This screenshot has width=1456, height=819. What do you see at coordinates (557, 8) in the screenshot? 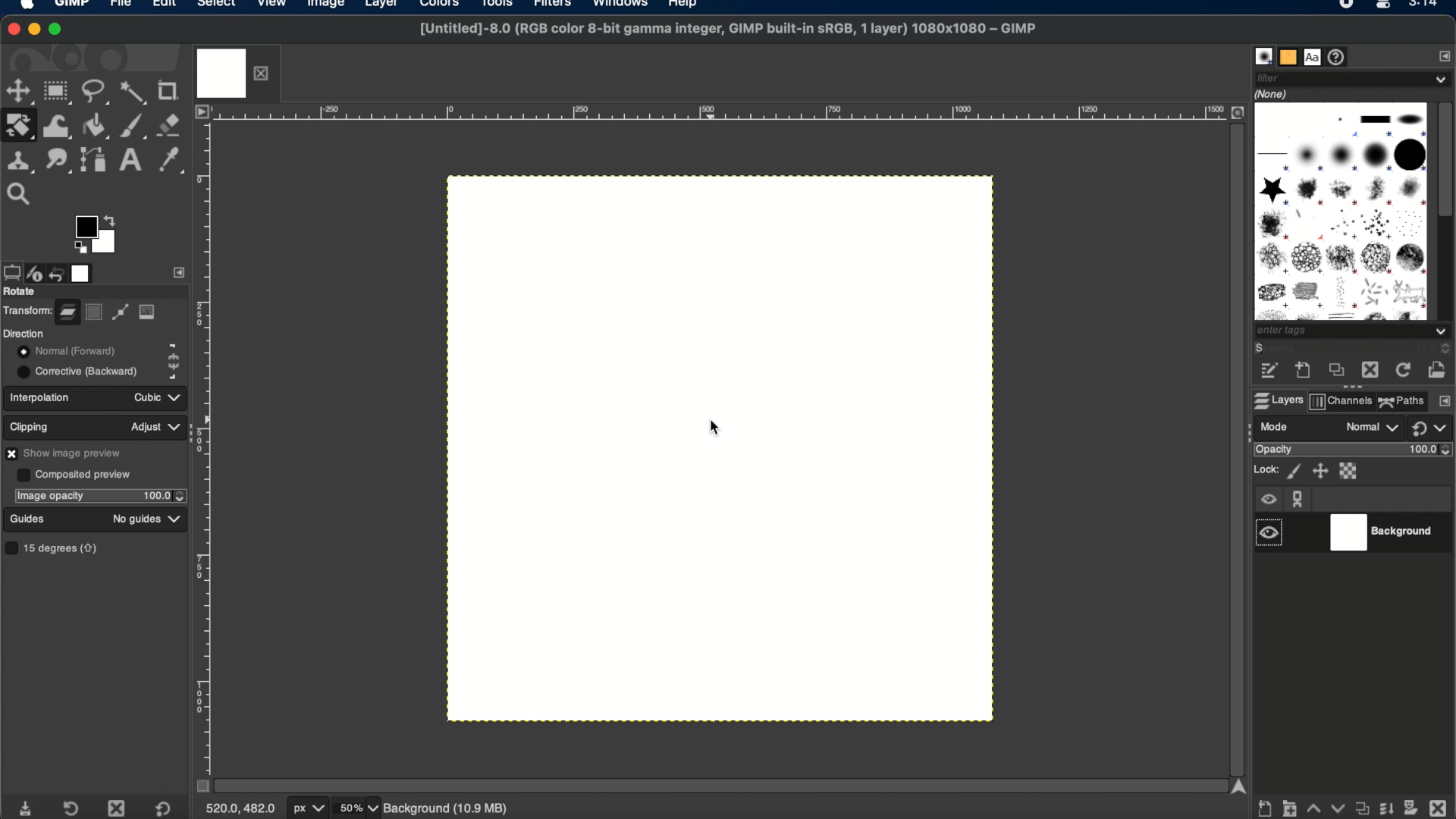
I see `filters` at bounding box center [557, 8].